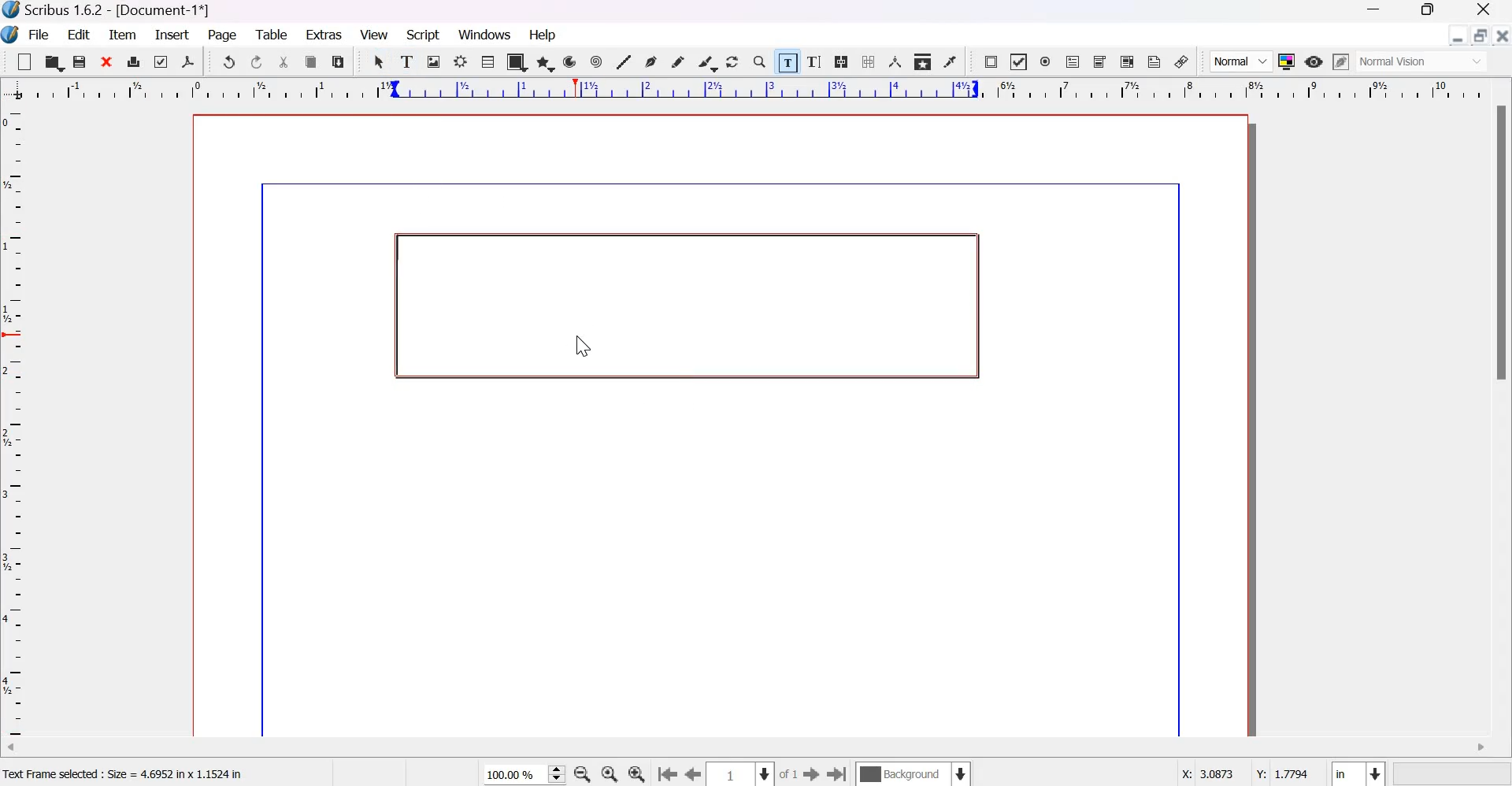 This screenshot has height=786, width=1512. Describe the element at coordinates (1287, 61) in the screenshot. I see `Toggle Color Management System` at that location.